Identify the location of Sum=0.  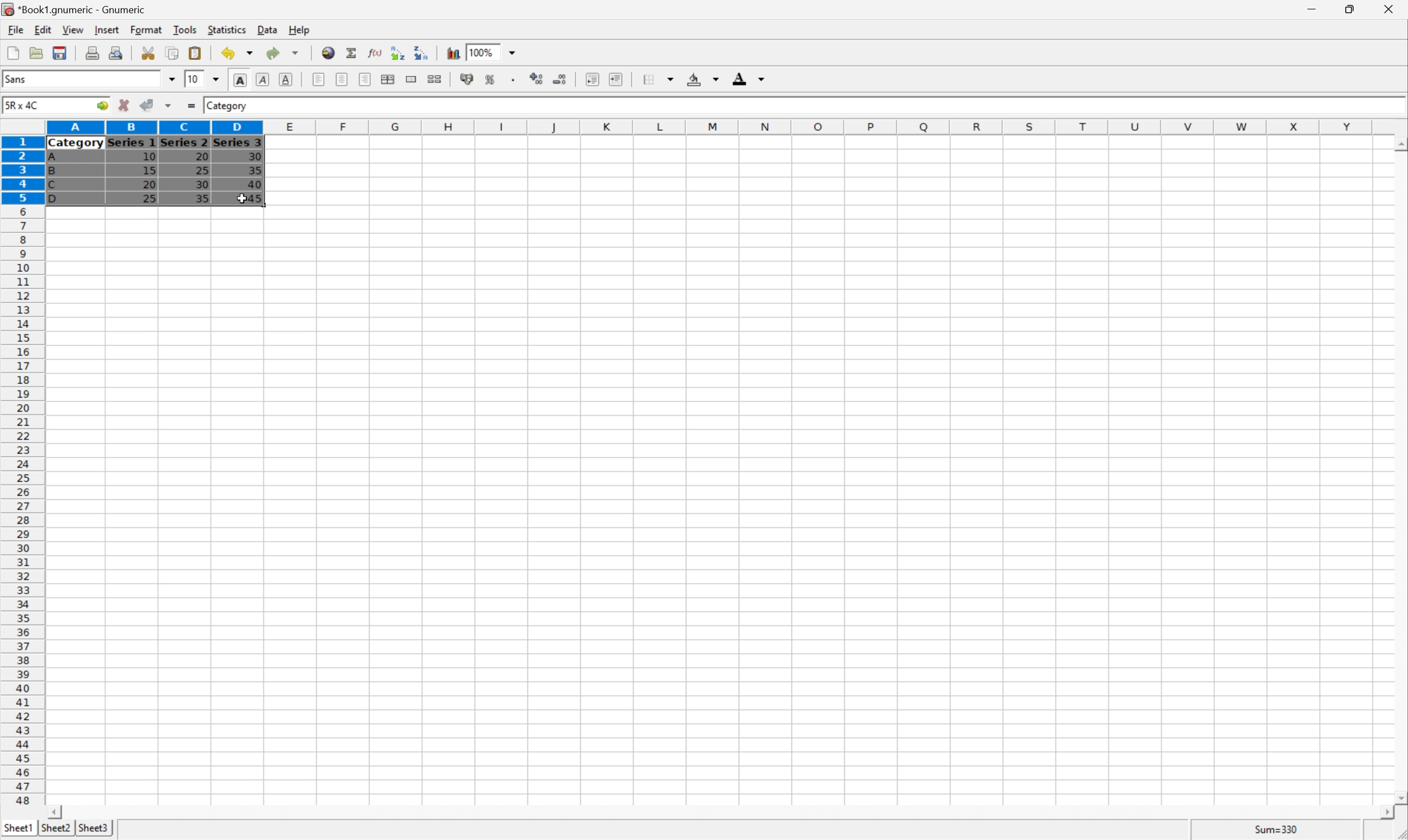
(1279, 832).